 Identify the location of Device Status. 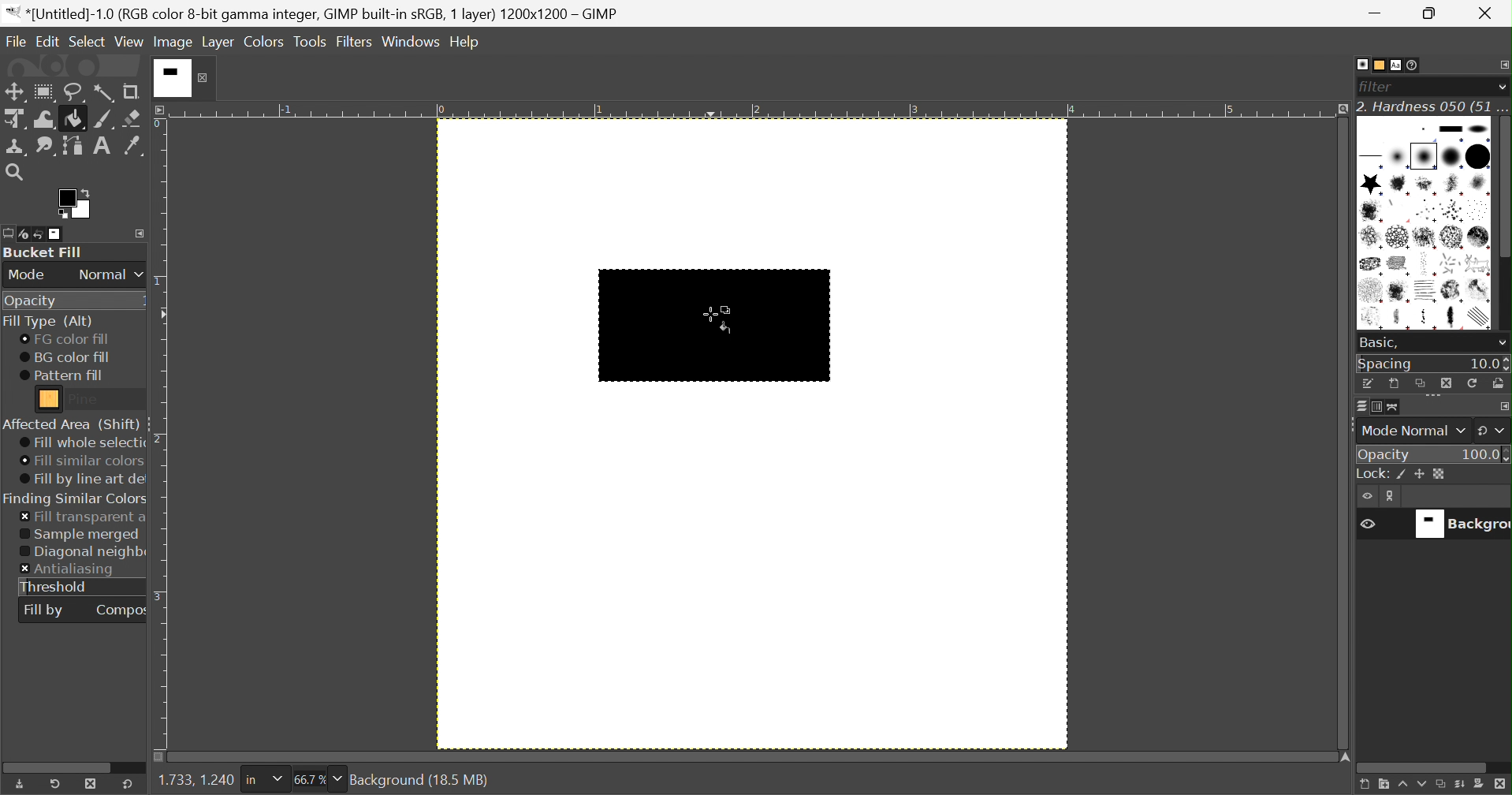
(24, 235).